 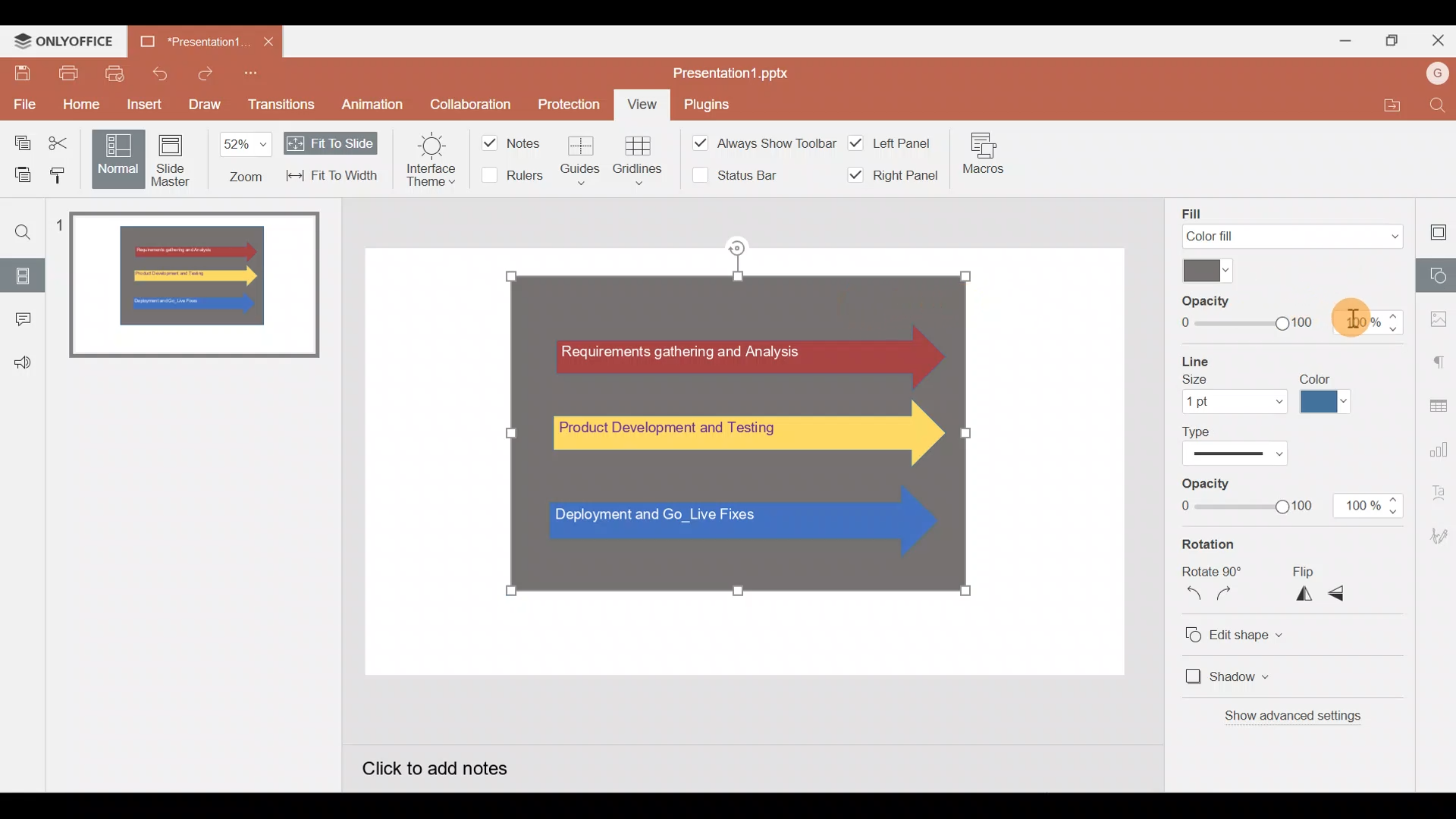 What do you see at coordinates (1229, 383) in the screenshot?
I see `Line size` at bounding box center [1229, 383].